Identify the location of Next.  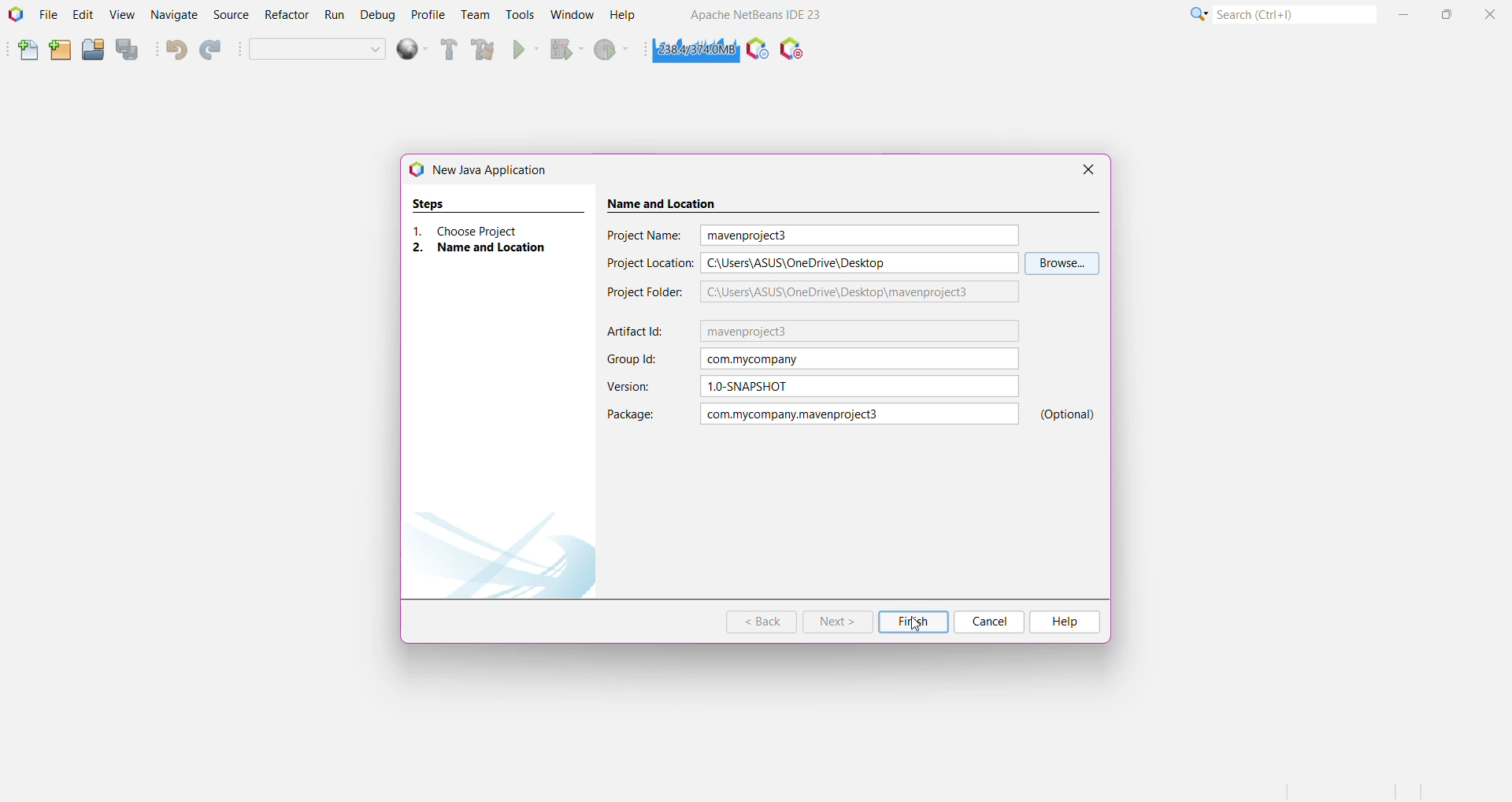
(836, 622).